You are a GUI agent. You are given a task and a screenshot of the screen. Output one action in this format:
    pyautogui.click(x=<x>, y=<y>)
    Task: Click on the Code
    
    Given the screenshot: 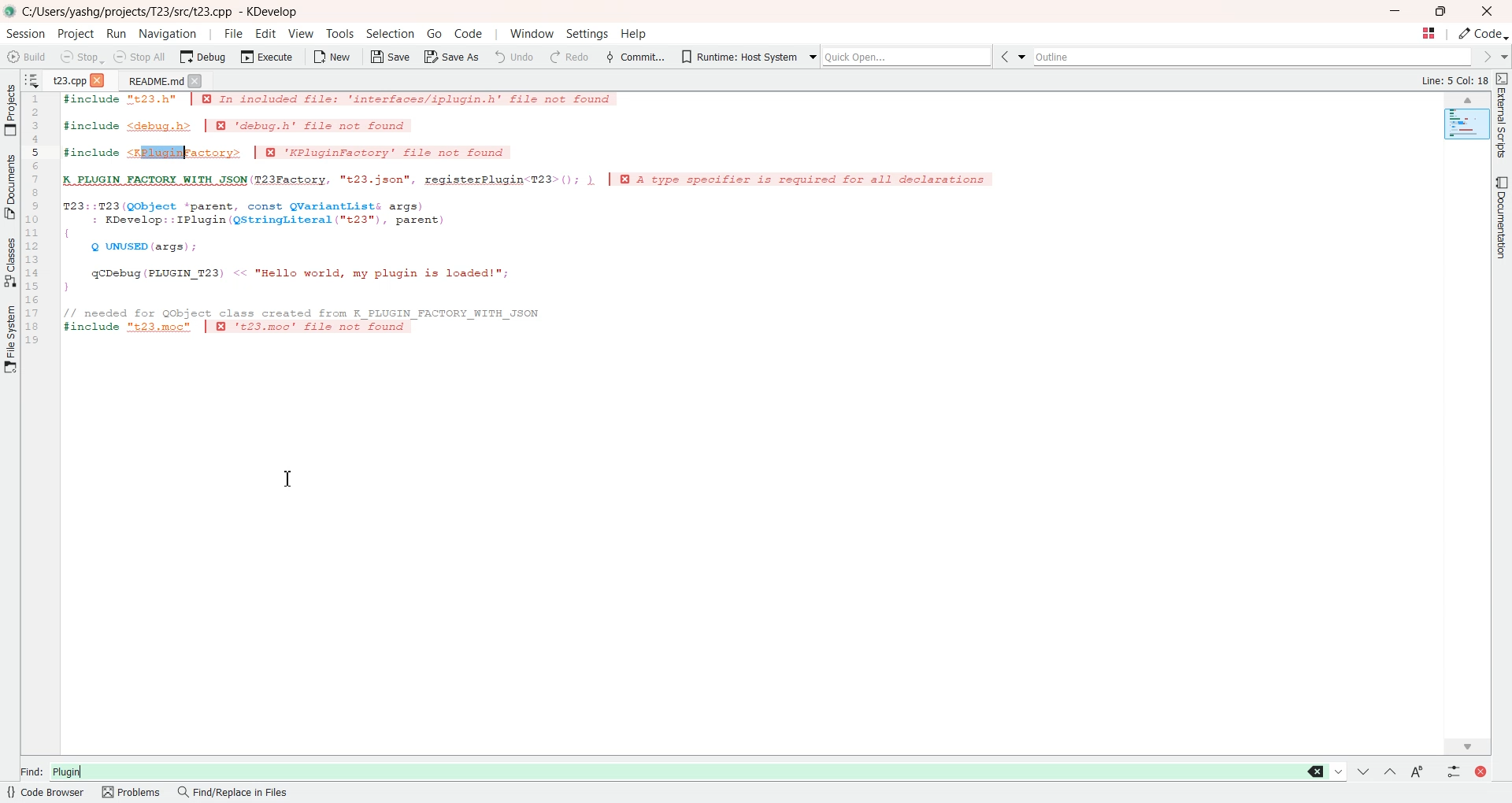 What is the action you would take?
    pyautogui.click(x=1484, y=34)
    